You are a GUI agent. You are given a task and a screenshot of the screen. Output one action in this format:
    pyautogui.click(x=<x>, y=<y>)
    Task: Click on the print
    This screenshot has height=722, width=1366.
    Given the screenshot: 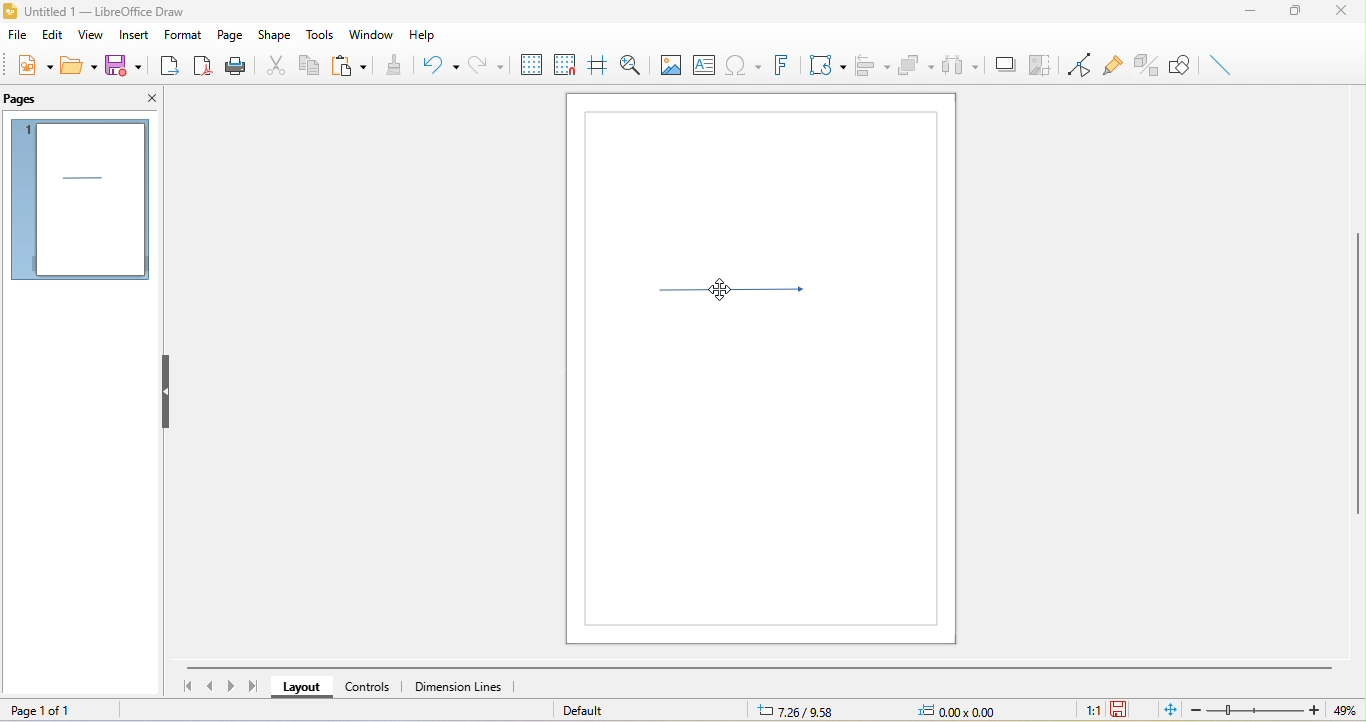 What is the action you would take?
    pyautogui.click(x=238, y=68)
    